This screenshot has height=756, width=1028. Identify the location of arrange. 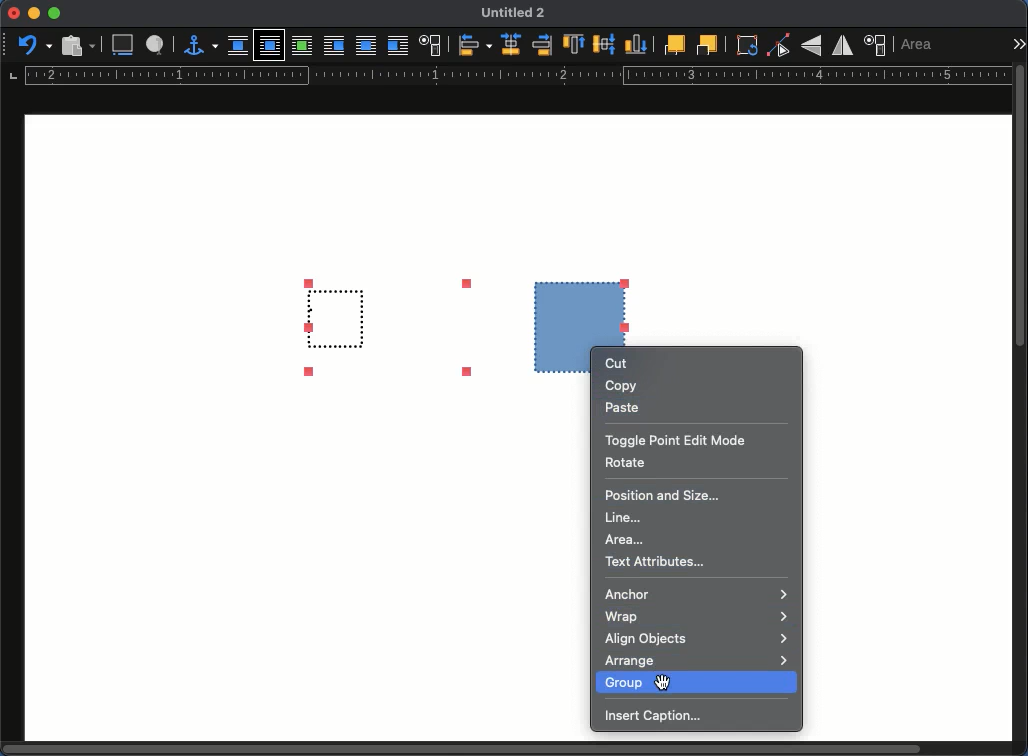
(696, 662).